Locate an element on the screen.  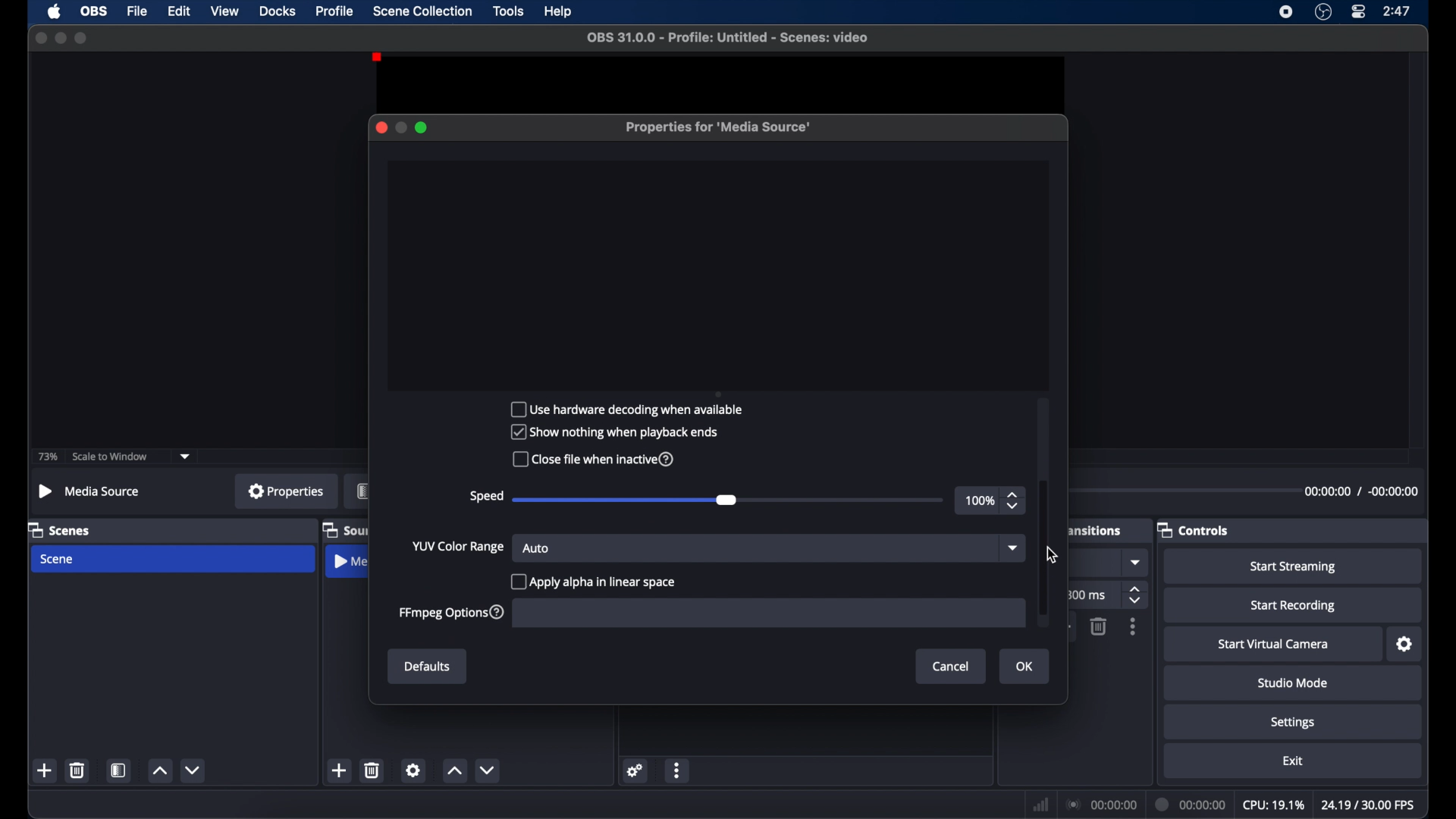
help is located at coordinates (559, 12).